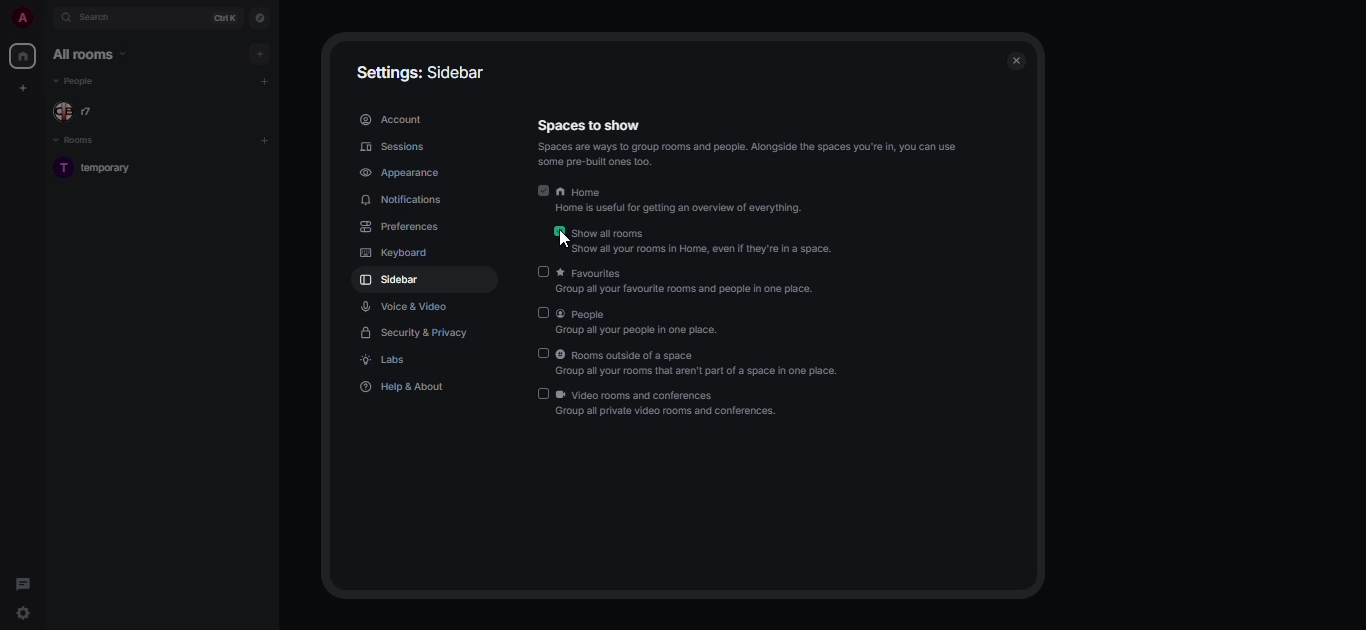  I want to click on spaces to show, so click(592, 126).